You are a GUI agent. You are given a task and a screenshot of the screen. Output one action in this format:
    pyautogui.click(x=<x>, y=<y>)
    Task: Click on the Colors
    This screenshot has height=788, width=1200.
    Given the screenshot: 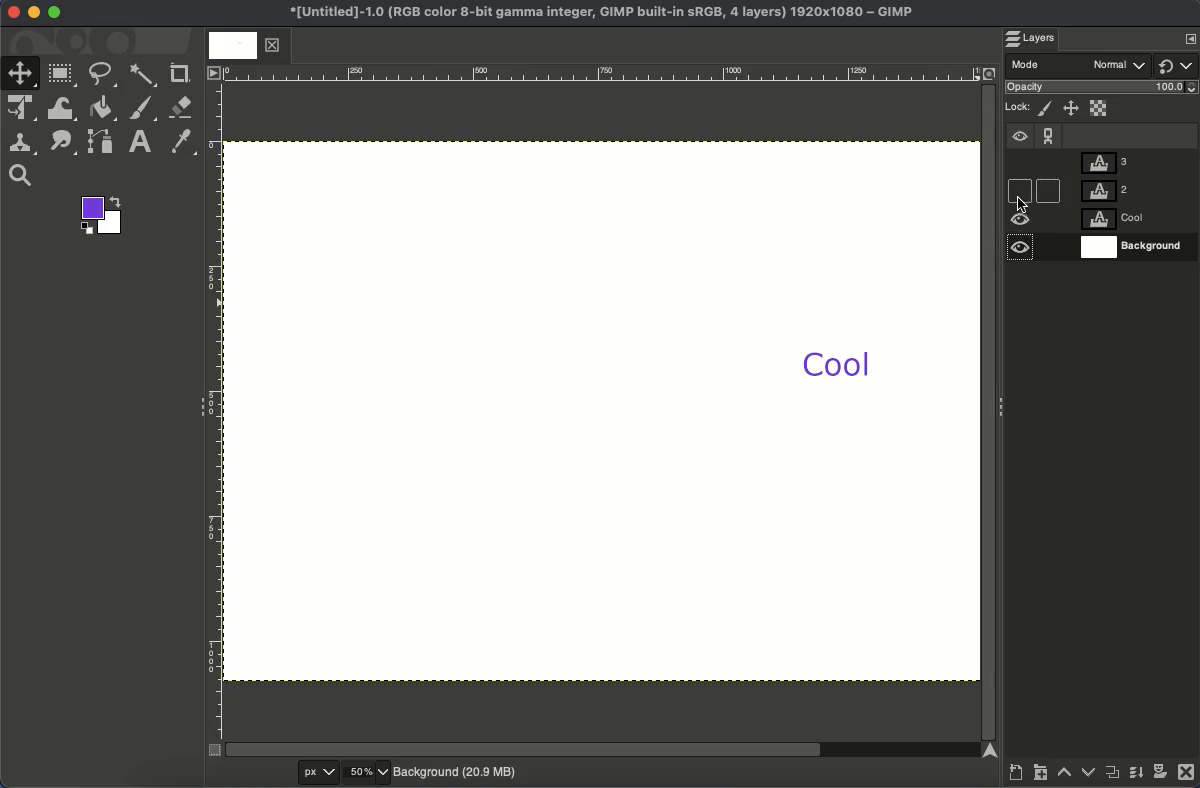 What is the action you would take?
    pyautogui.click(x=104, y=217)
    